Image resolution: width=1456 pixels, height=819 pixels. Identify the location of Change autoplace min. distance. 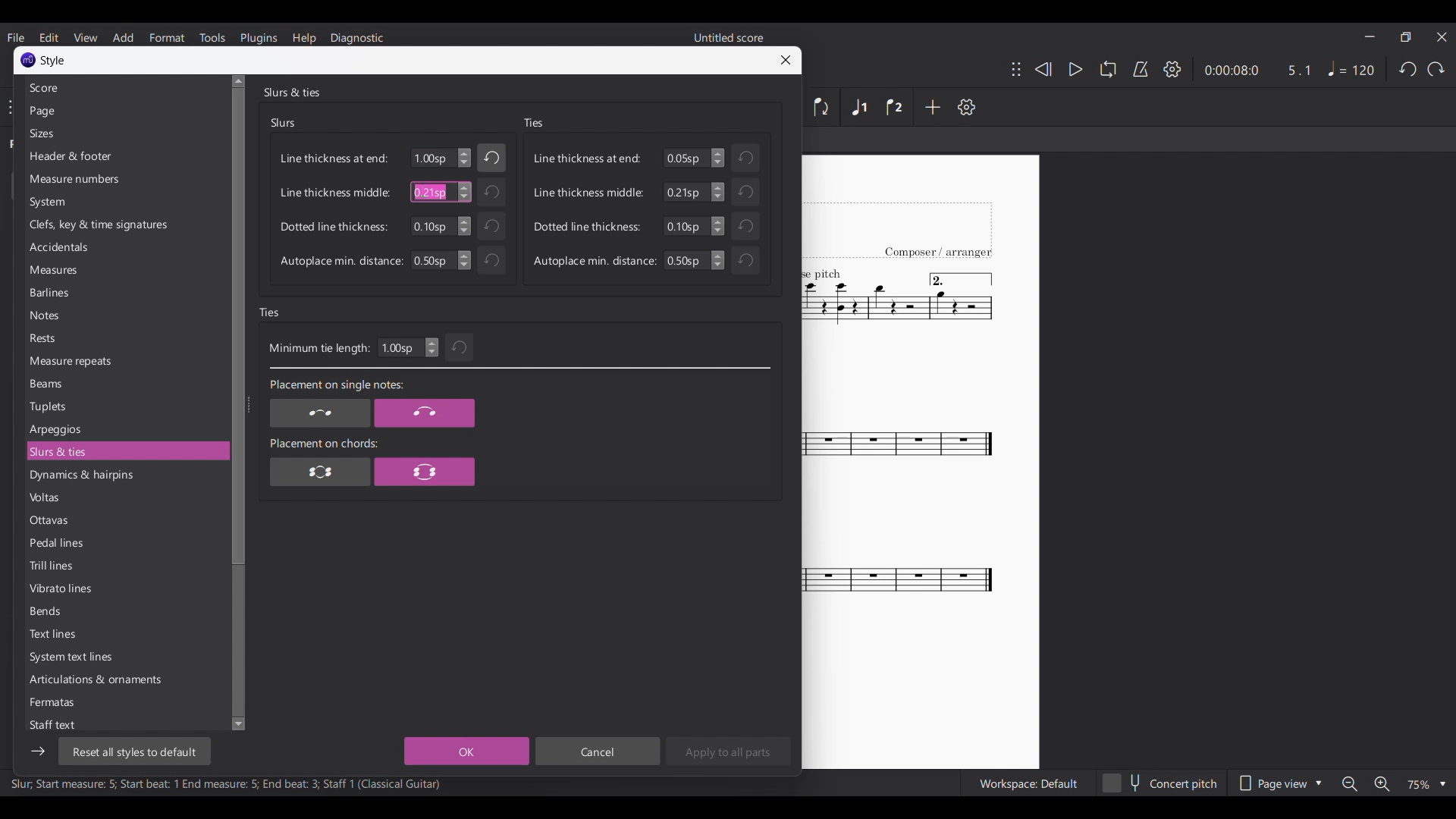
(718, 260).